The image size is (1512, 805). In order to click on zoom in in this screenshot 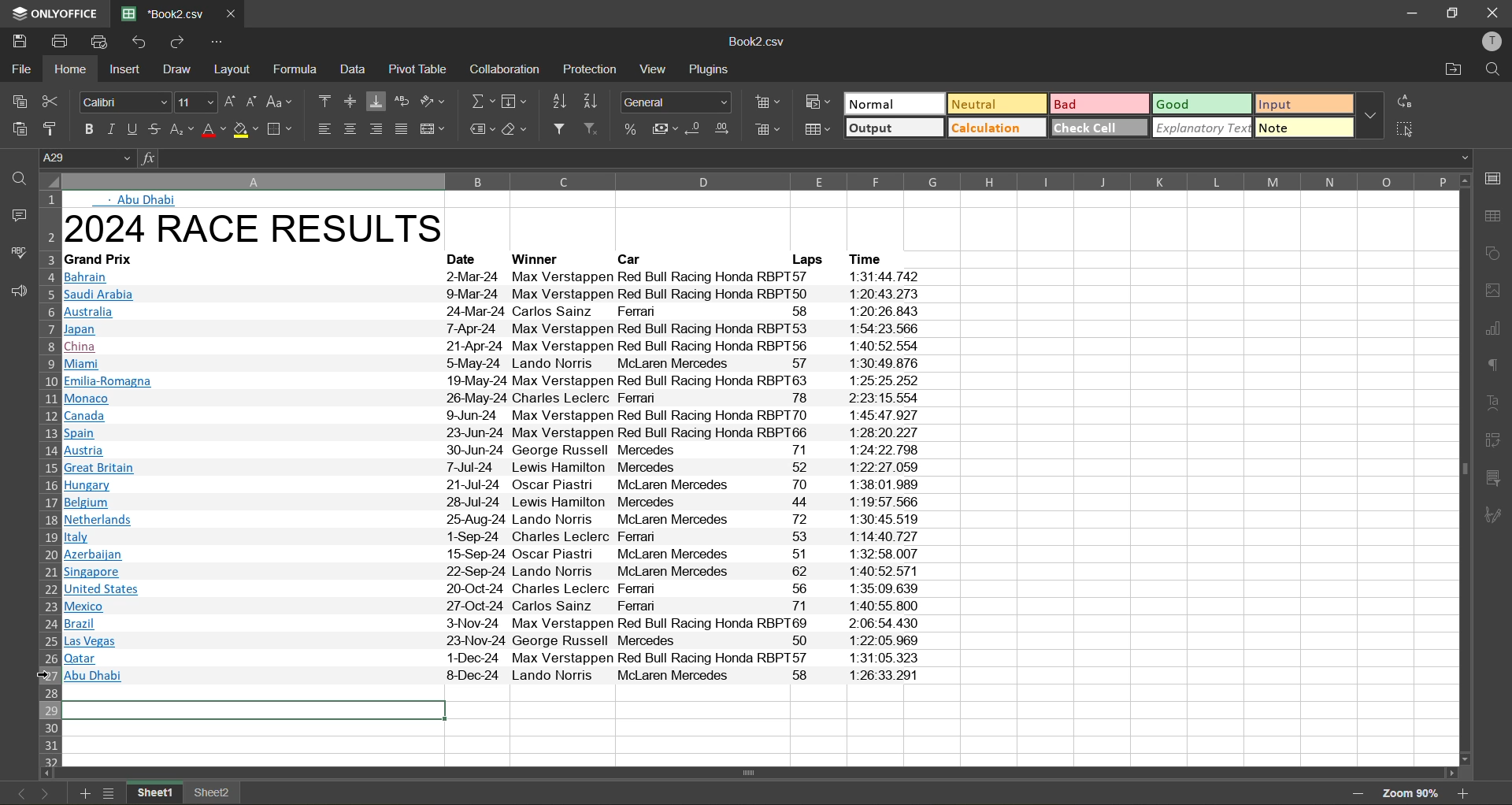, I will do `click(1466, 794)`.